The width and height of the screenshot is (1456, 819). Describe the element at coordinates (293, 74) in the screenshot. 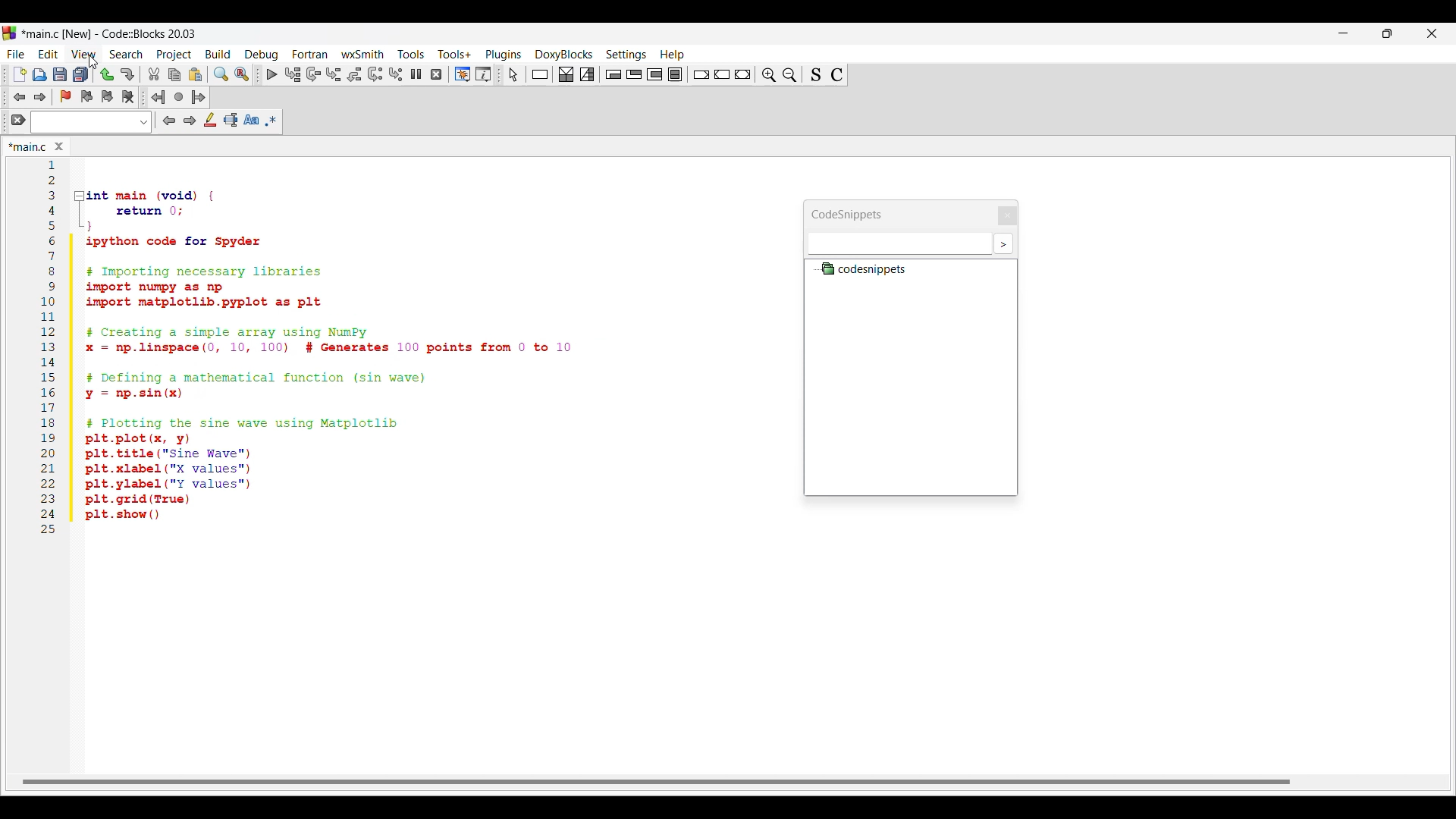

I see `Run to cursor` at that location.